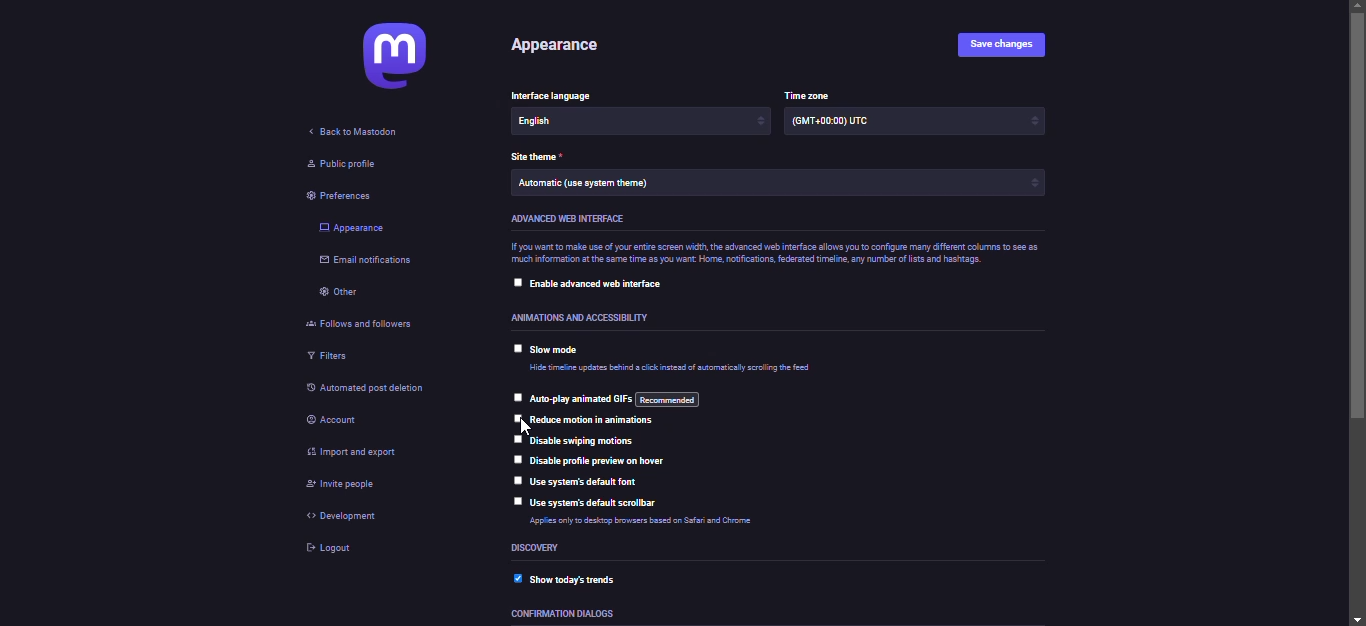 The image size is (1366, 626). Describe the element at coordinates (536, 157) in the screenshot. I see `theme` at that location.